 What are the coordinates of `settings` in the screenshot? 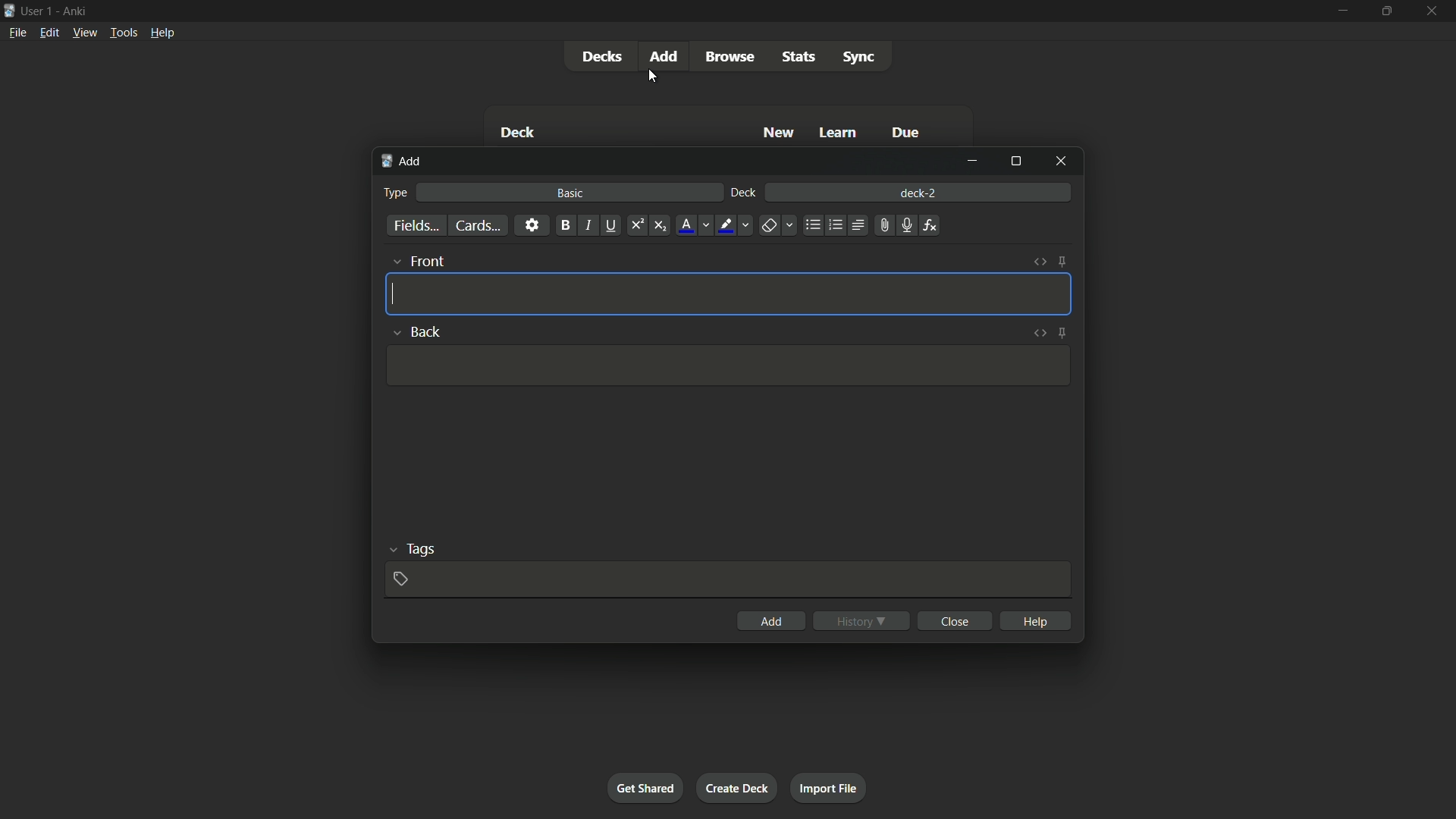 It's located at (532, 226).